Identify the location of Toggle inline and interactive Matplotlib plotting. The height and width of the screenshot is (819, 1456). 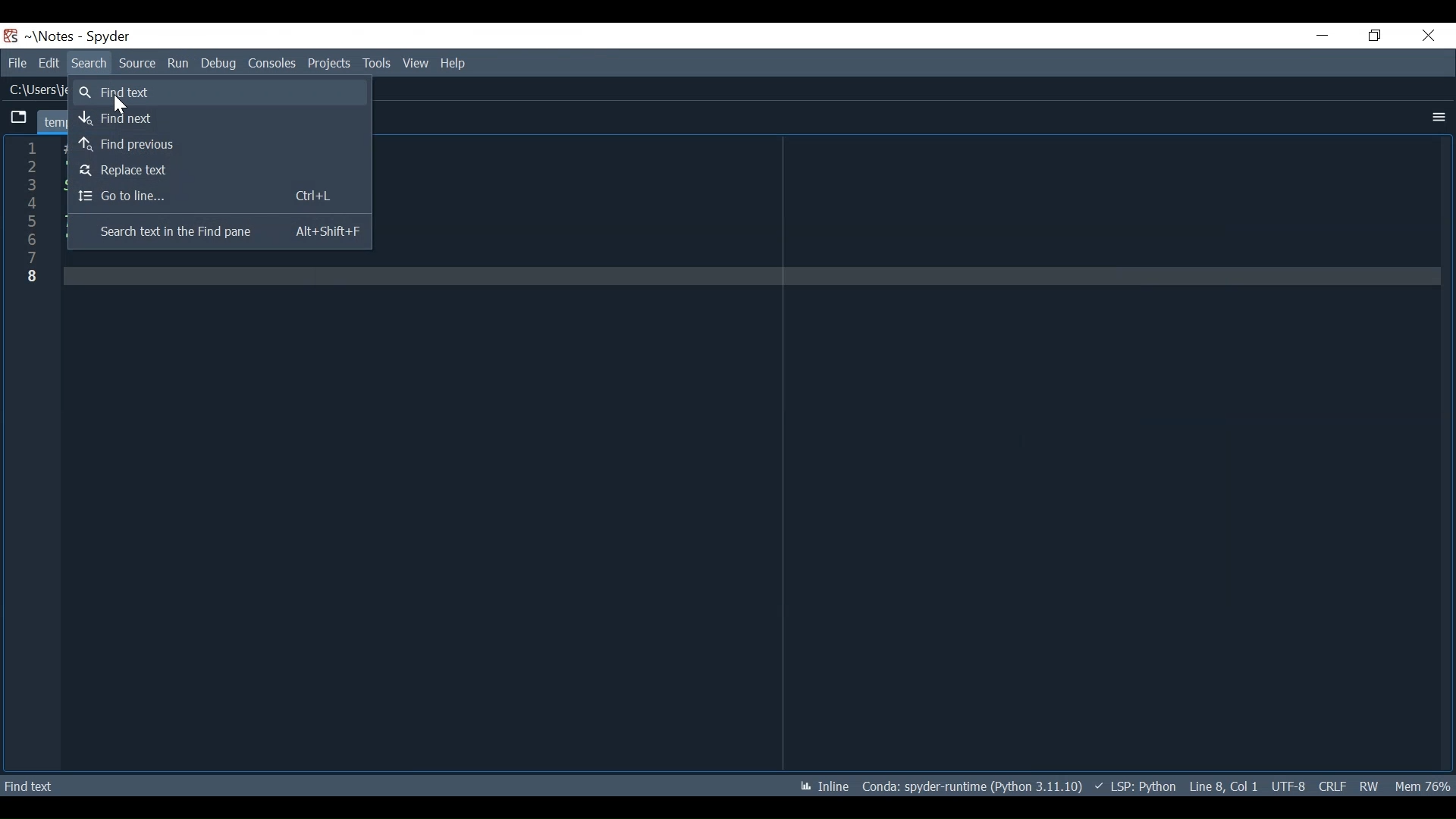
(827, 788).